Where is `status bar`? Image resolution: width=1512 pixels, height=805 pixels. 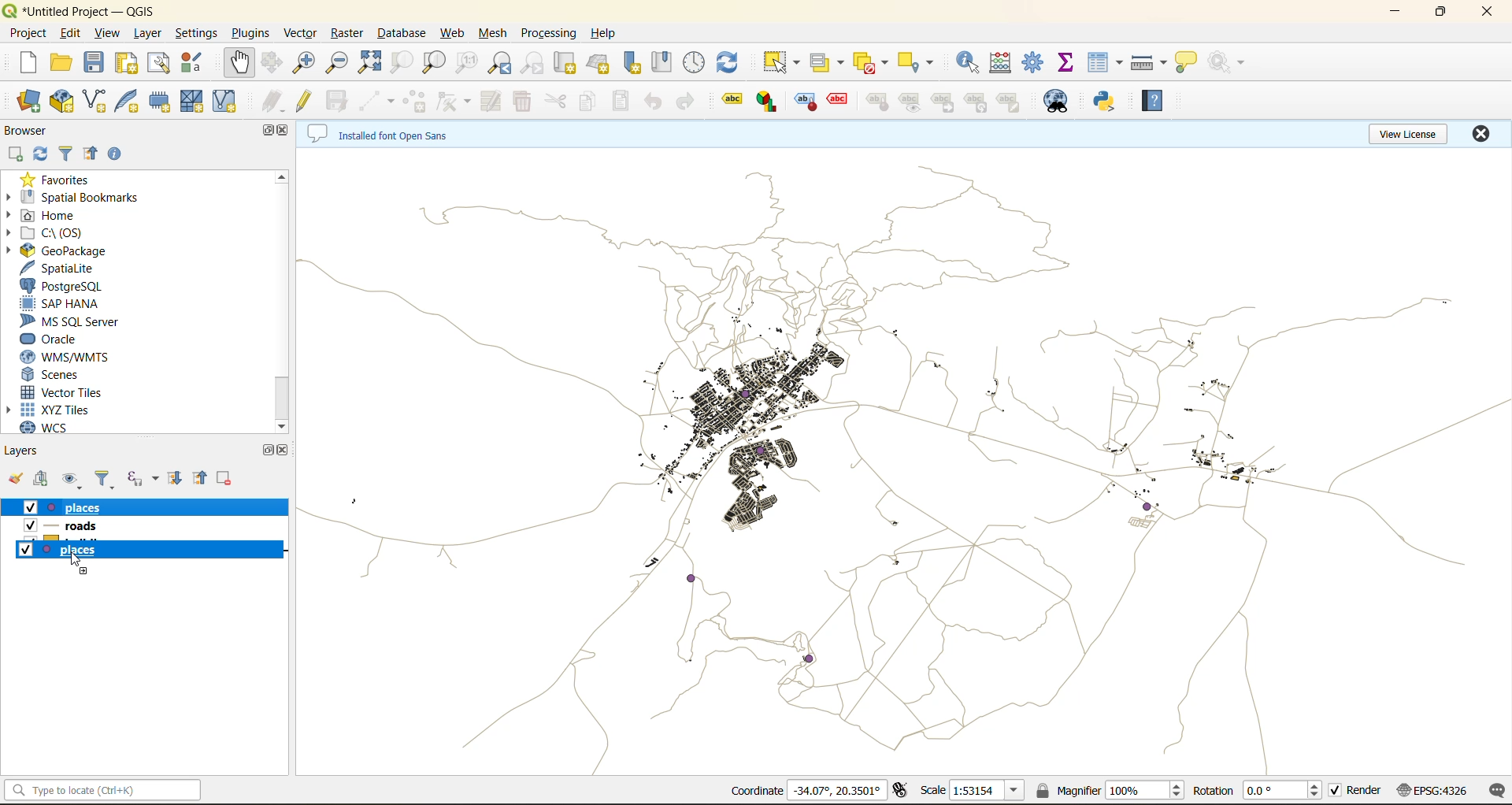 status bar is located at coordinates (104, 790).